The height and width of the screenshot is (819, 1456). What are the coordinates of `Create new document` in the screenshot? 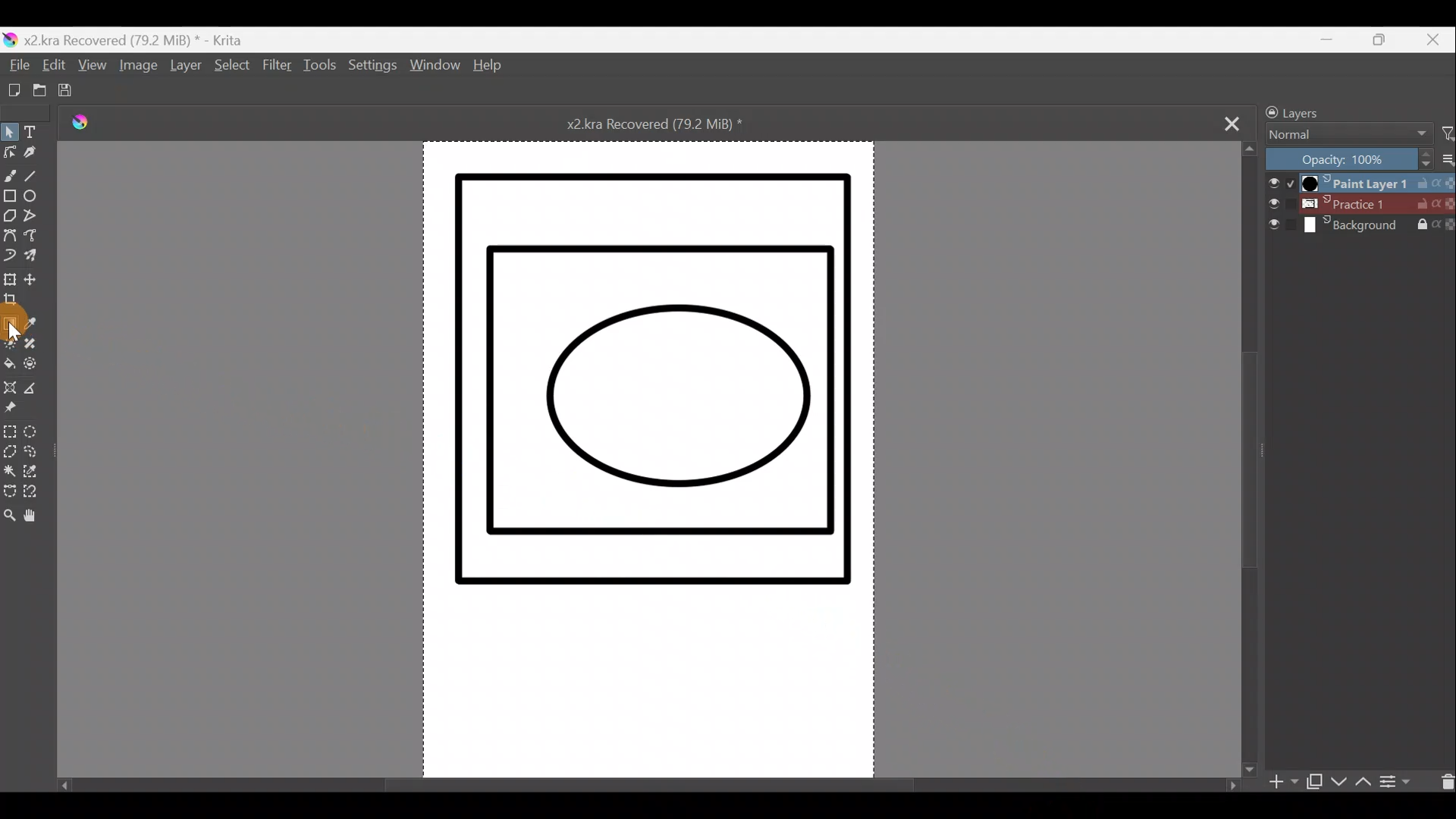 It's located at (10, 90).